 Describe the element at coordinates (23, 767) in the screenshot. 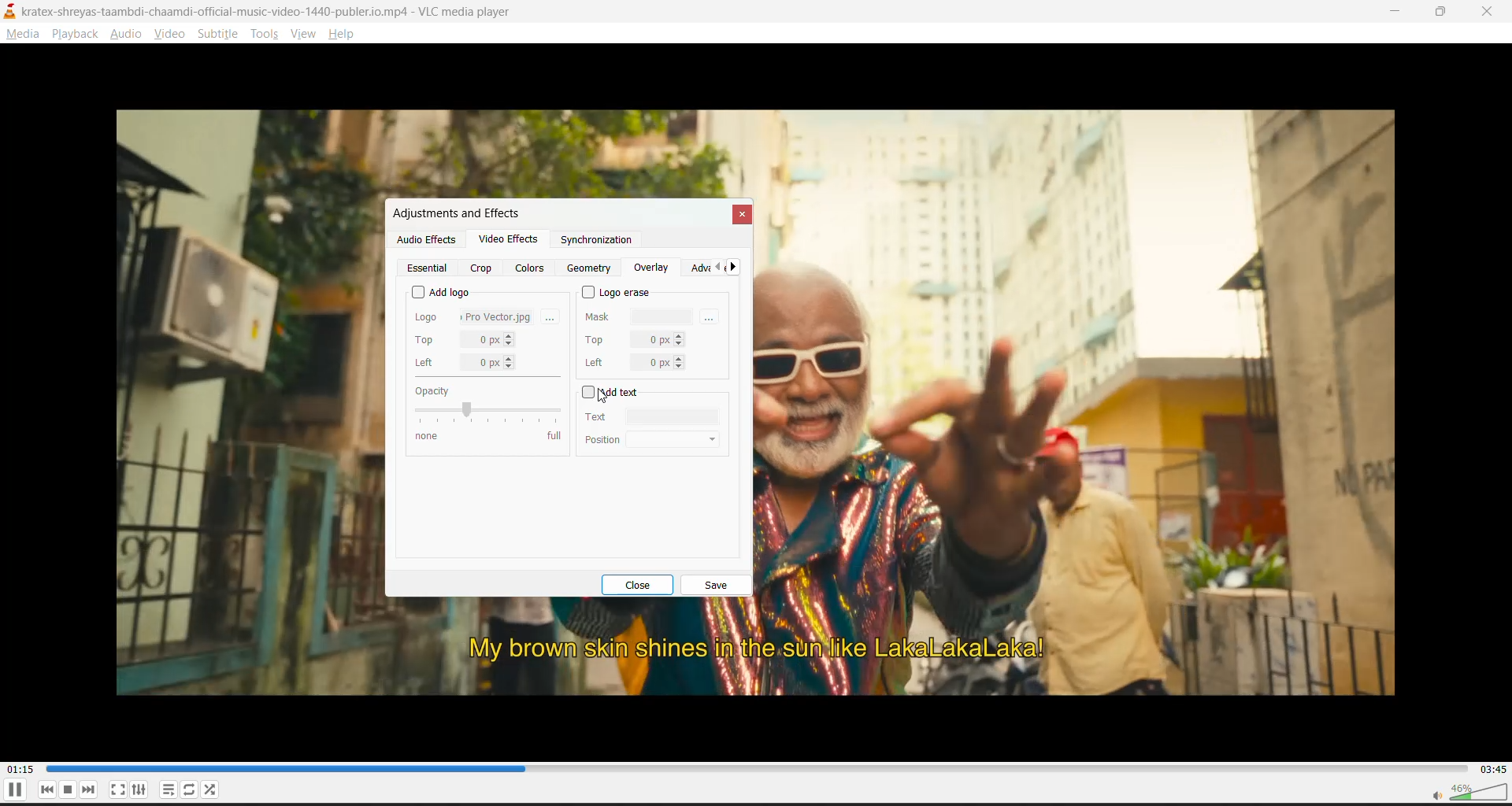

I see `current track time` at that location.